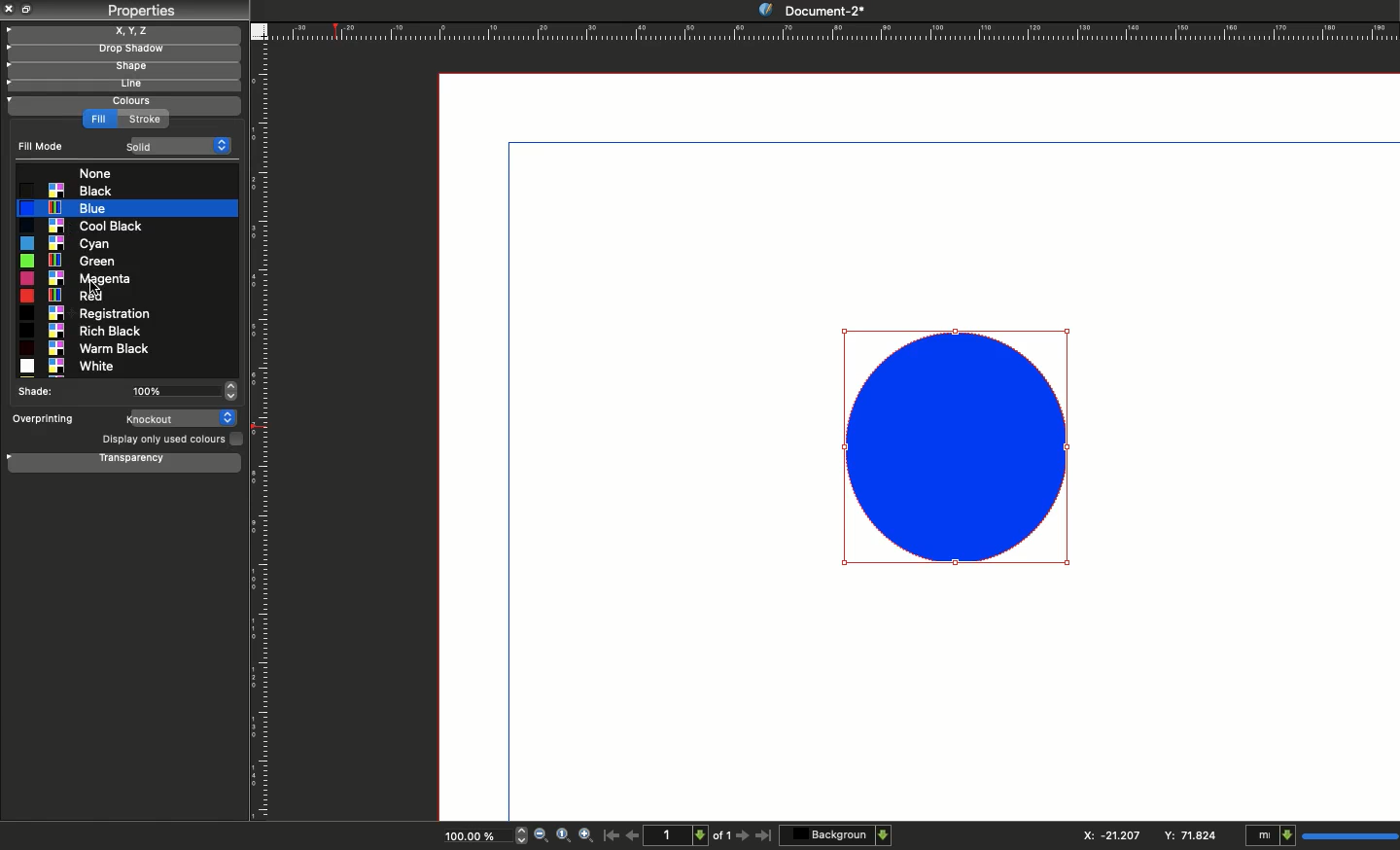 The width and height of the screenshot is (1400, 850). What do you see at coordinates (29, 9) in the screenshot?
I see `Collapse` at bounding box center [29, 9].